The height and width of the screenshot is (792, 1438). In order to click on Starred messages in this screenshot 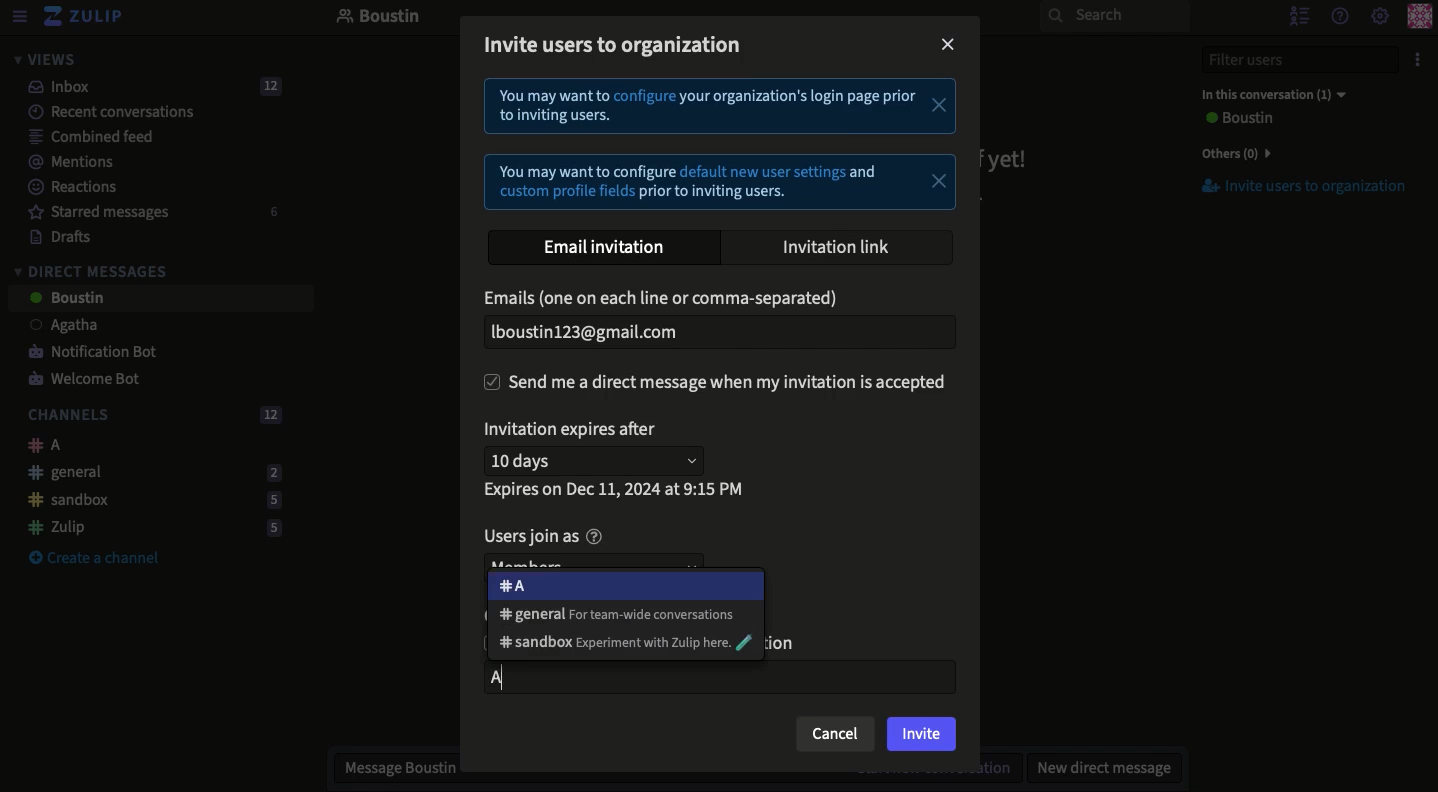, I will do `click(150, 212)`.